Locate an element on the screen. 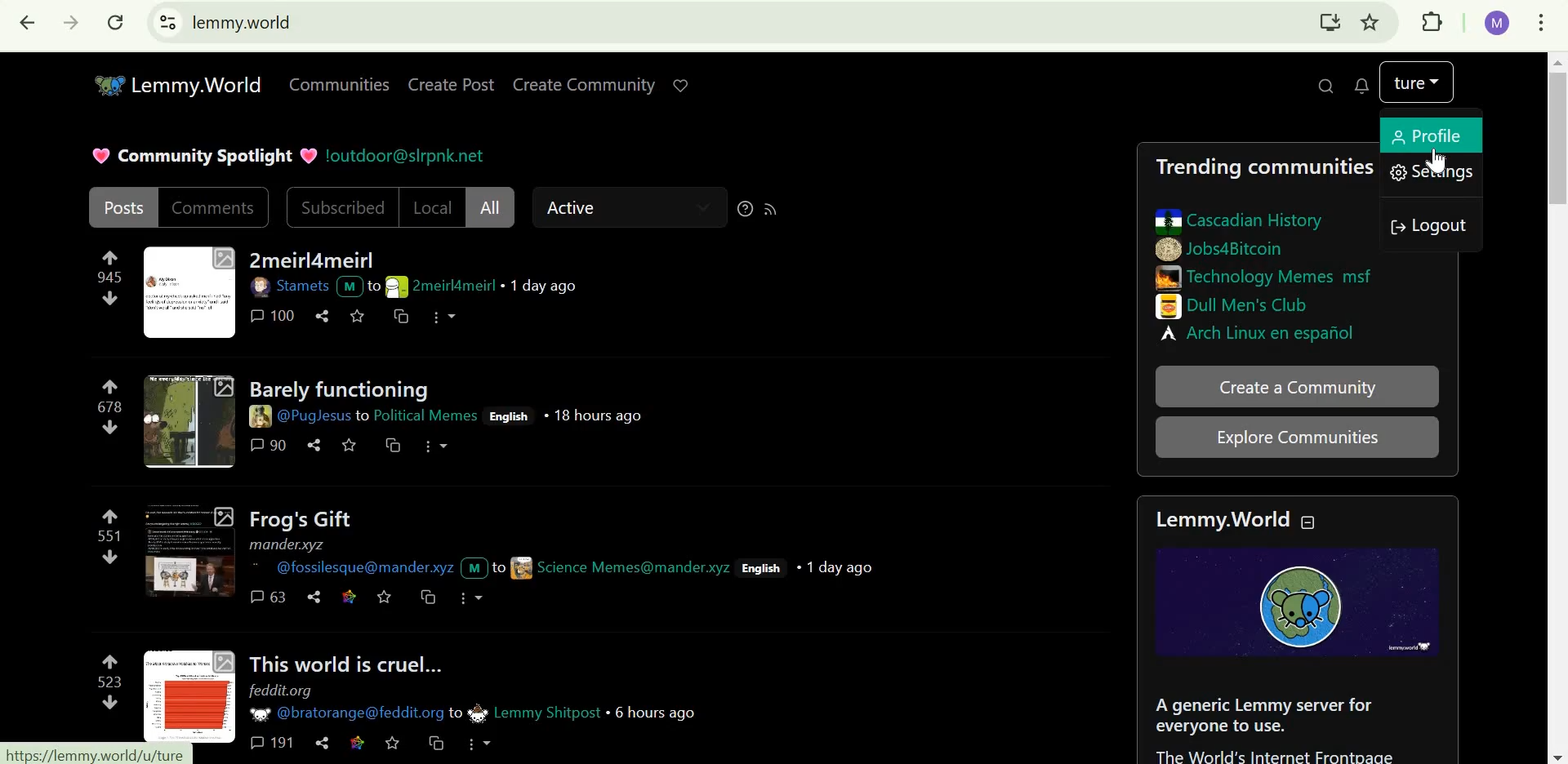 The image size is (1568, 764). click to go forward, hold to see history is located at coordinates (66, 23).